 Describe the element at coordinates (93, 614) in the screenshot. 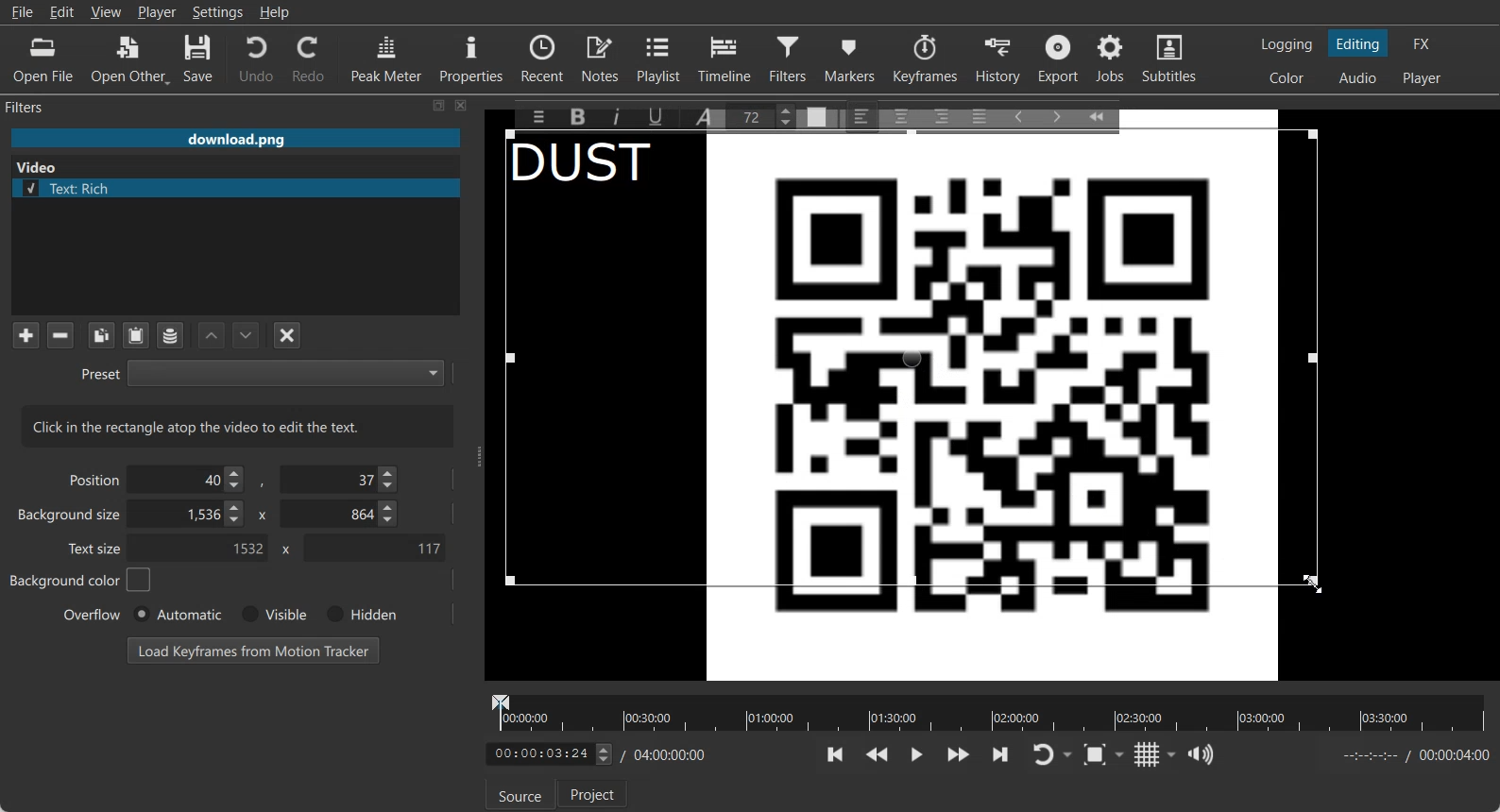

I see `Overflow` at that location.